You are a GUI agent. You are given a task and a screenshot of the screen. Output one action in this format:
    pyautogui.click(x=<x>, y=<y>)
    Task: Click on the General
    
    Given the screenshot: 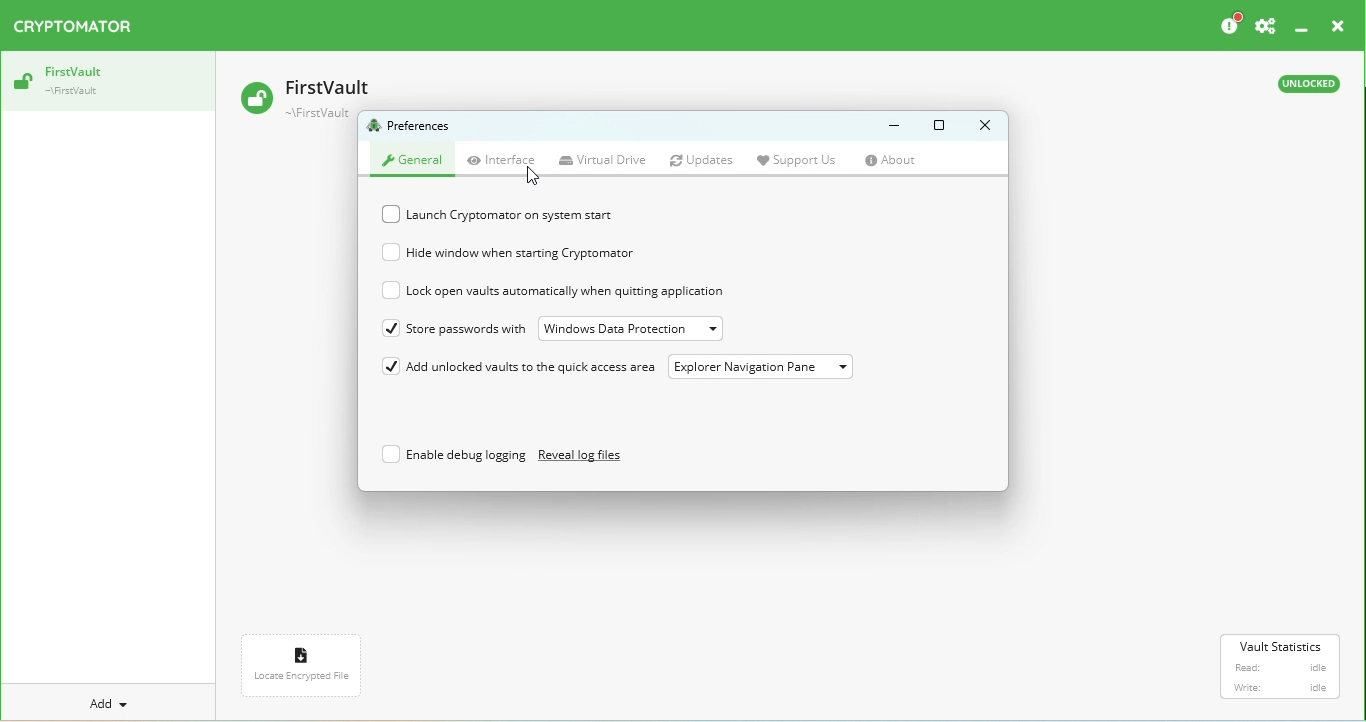 What is the action you would take?
    pyautogui.click(x=412, y=158)
    